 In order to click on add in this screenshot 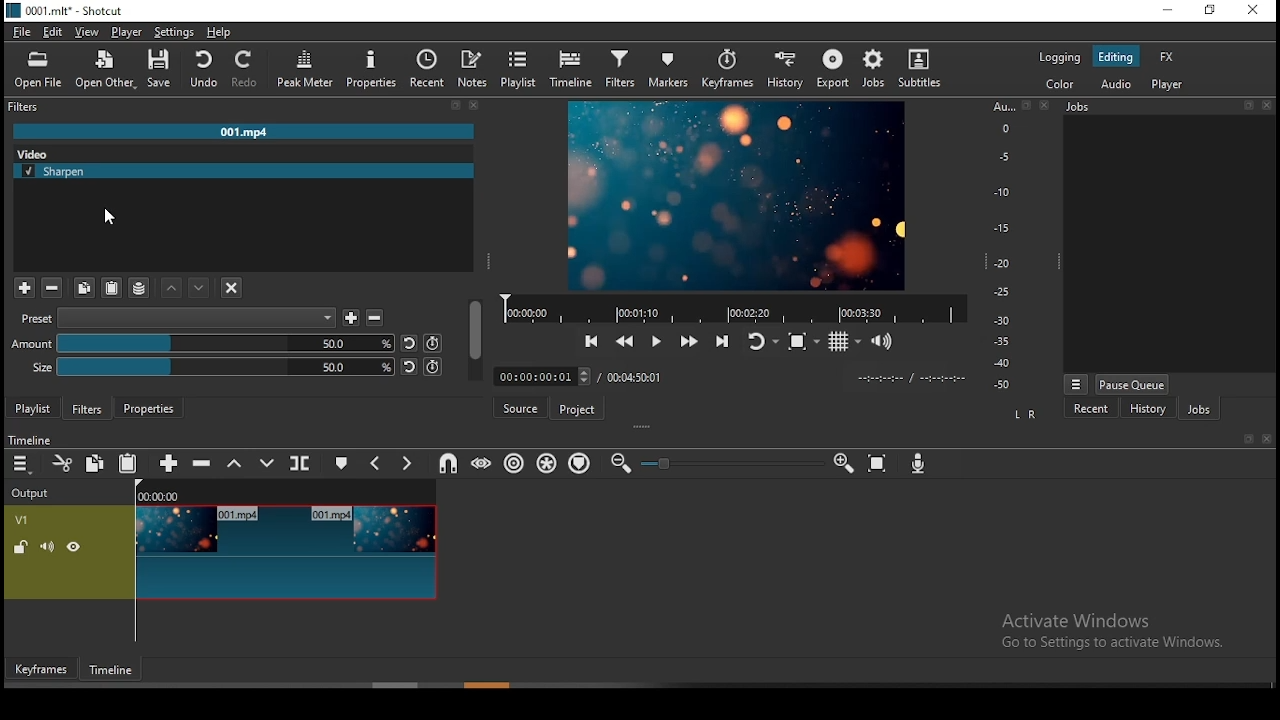, I will do `click(351, 318)`.